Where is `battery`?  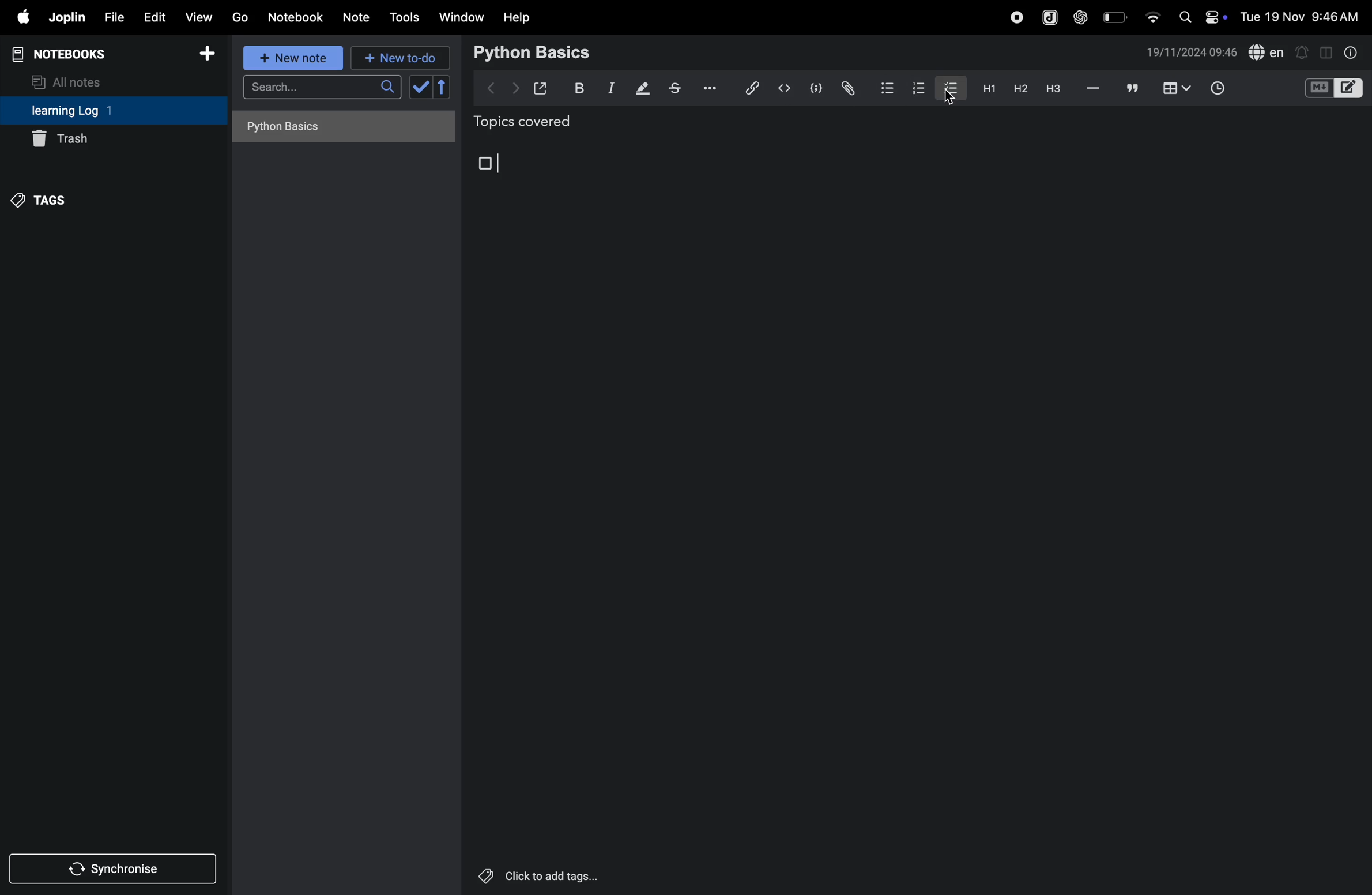
battery is located at coordinates (1116, 16).